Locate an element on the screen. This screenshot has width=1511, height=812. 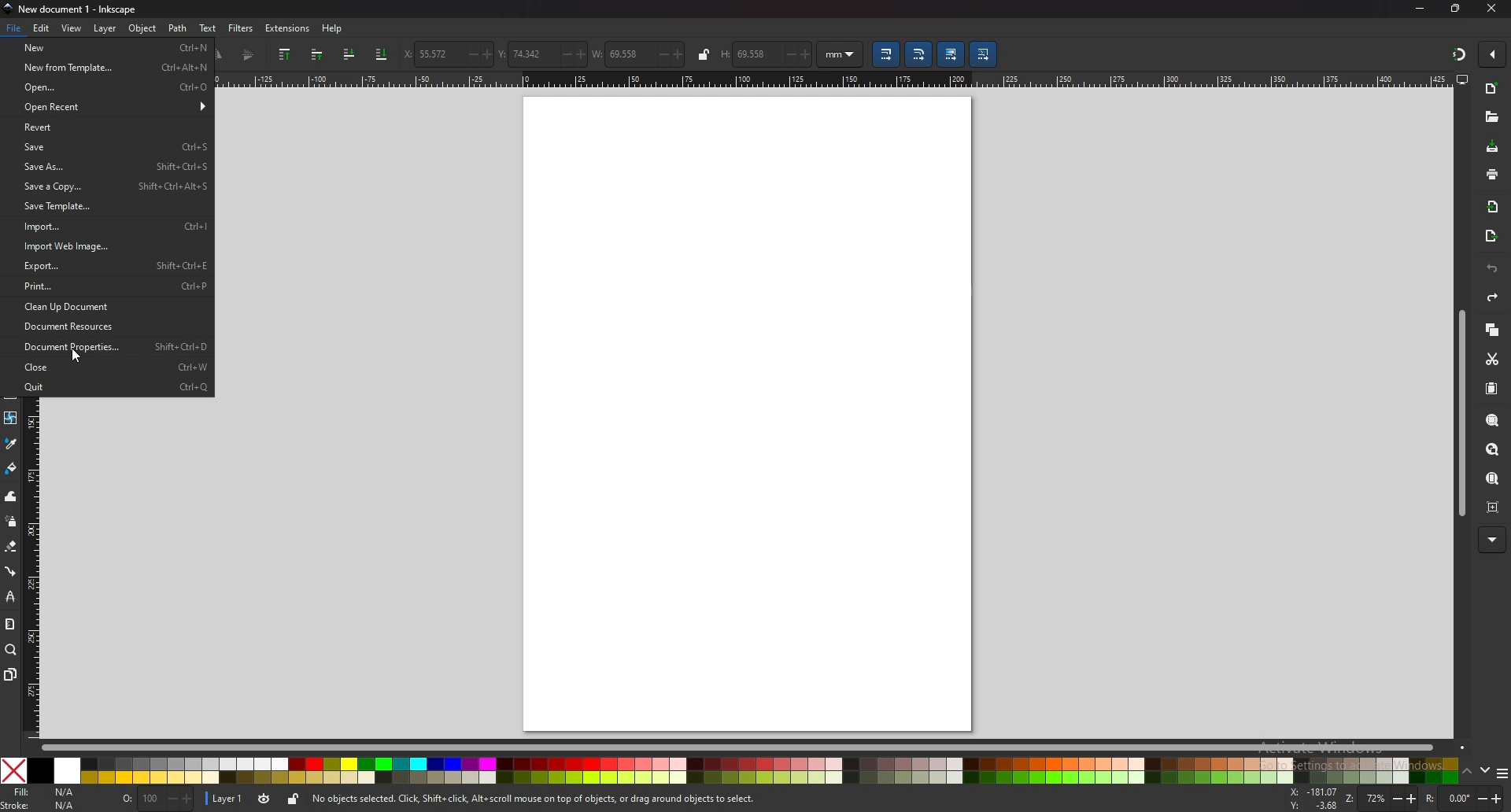
measure is located at coordinates (10, 624).